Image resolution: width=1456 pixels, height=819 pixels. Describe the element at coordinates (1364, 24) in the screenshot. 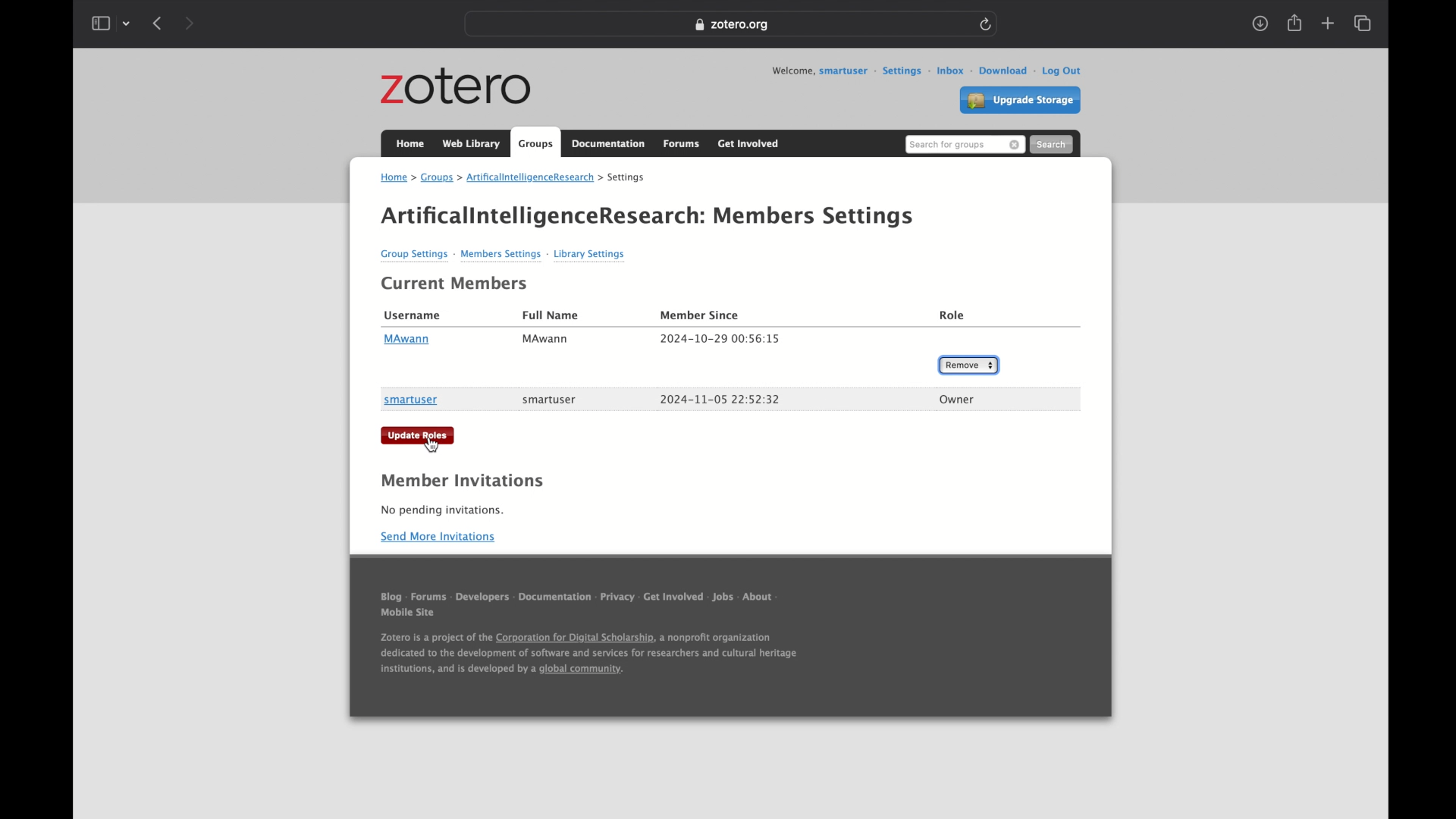

I see `show tab overview` at that location.